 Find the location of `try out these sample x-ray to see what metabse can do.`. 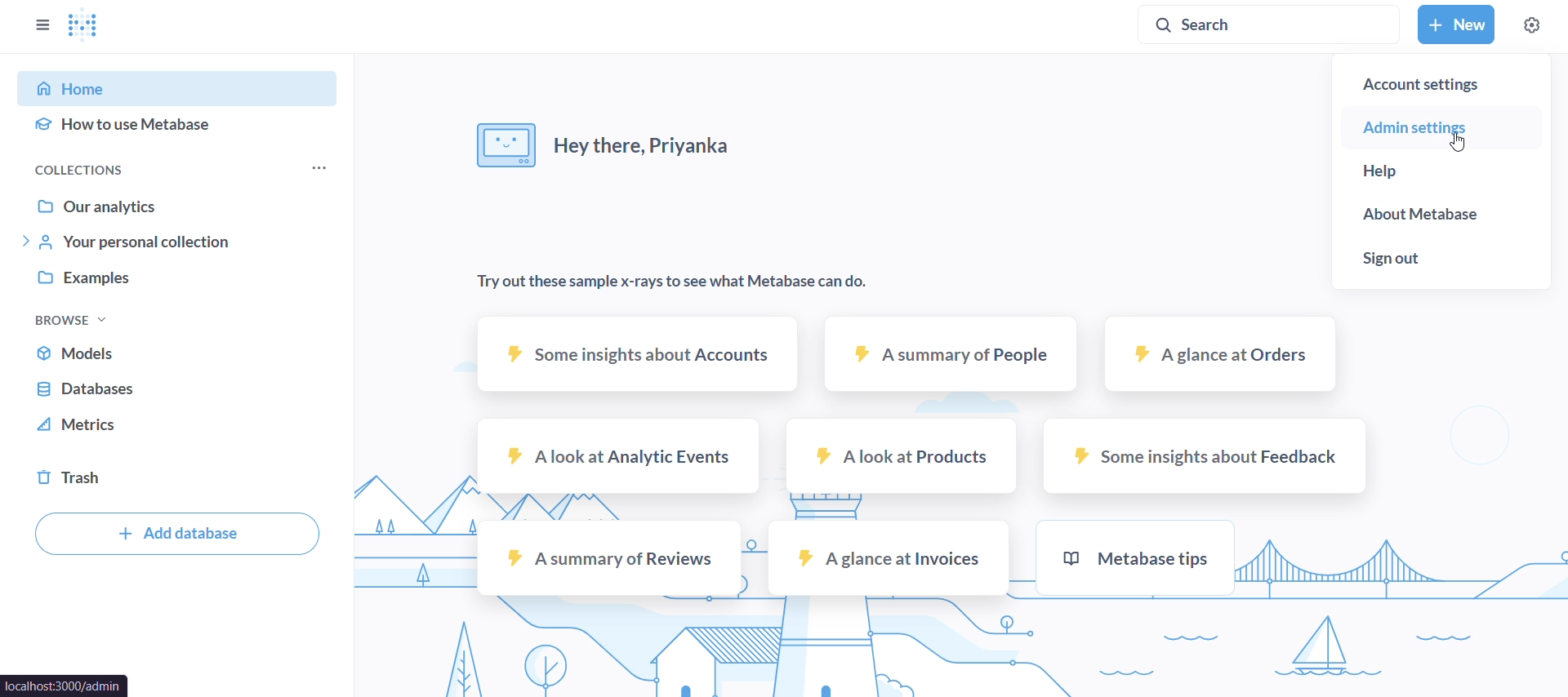

try out these sample x-ray to see what metabse can do. is located at coordinates (687, 282).